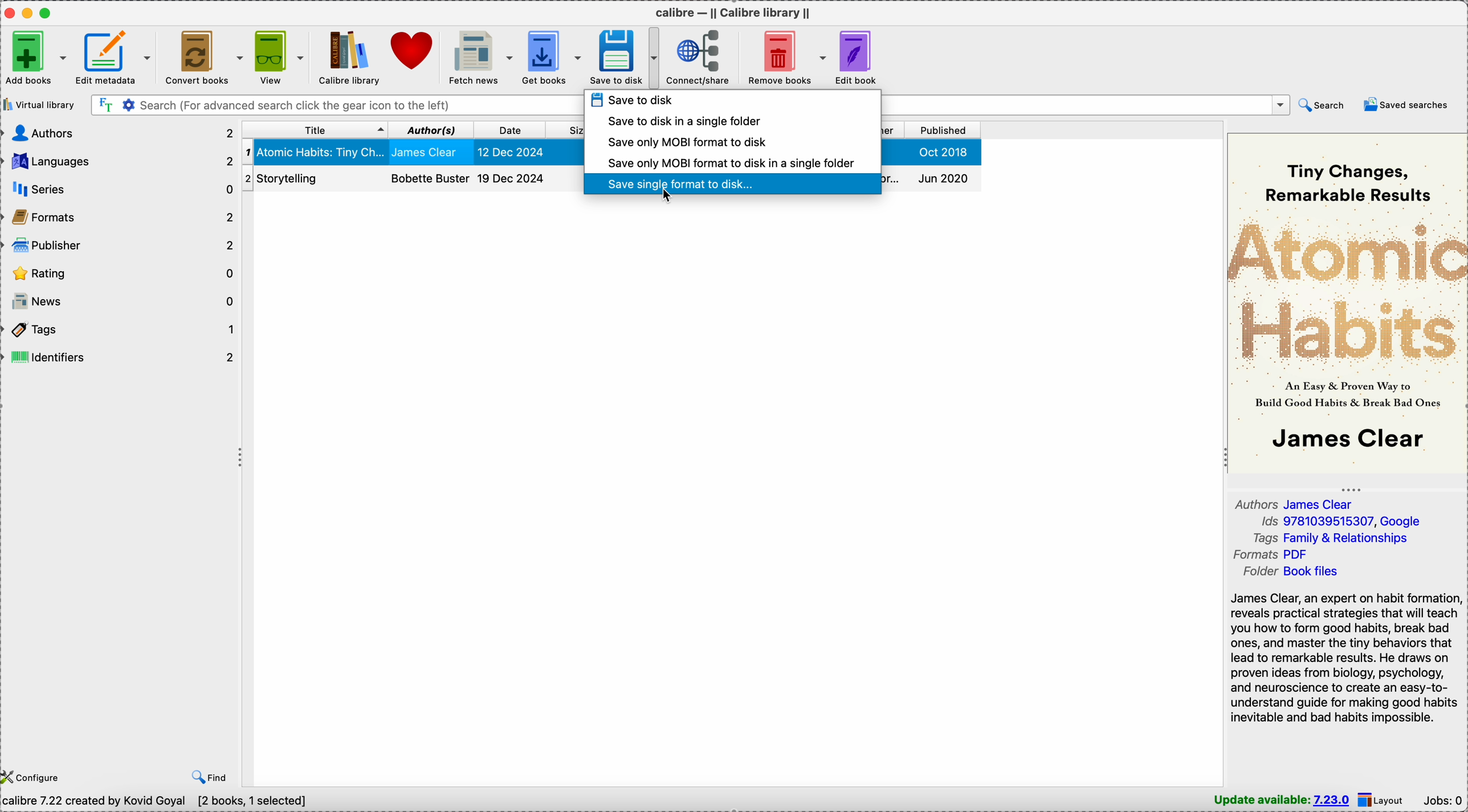 The height and width of the screenshot is (812, 1468). Describe the element at coordinates (119, 162) in the screenshot. I see `languages` at that location.